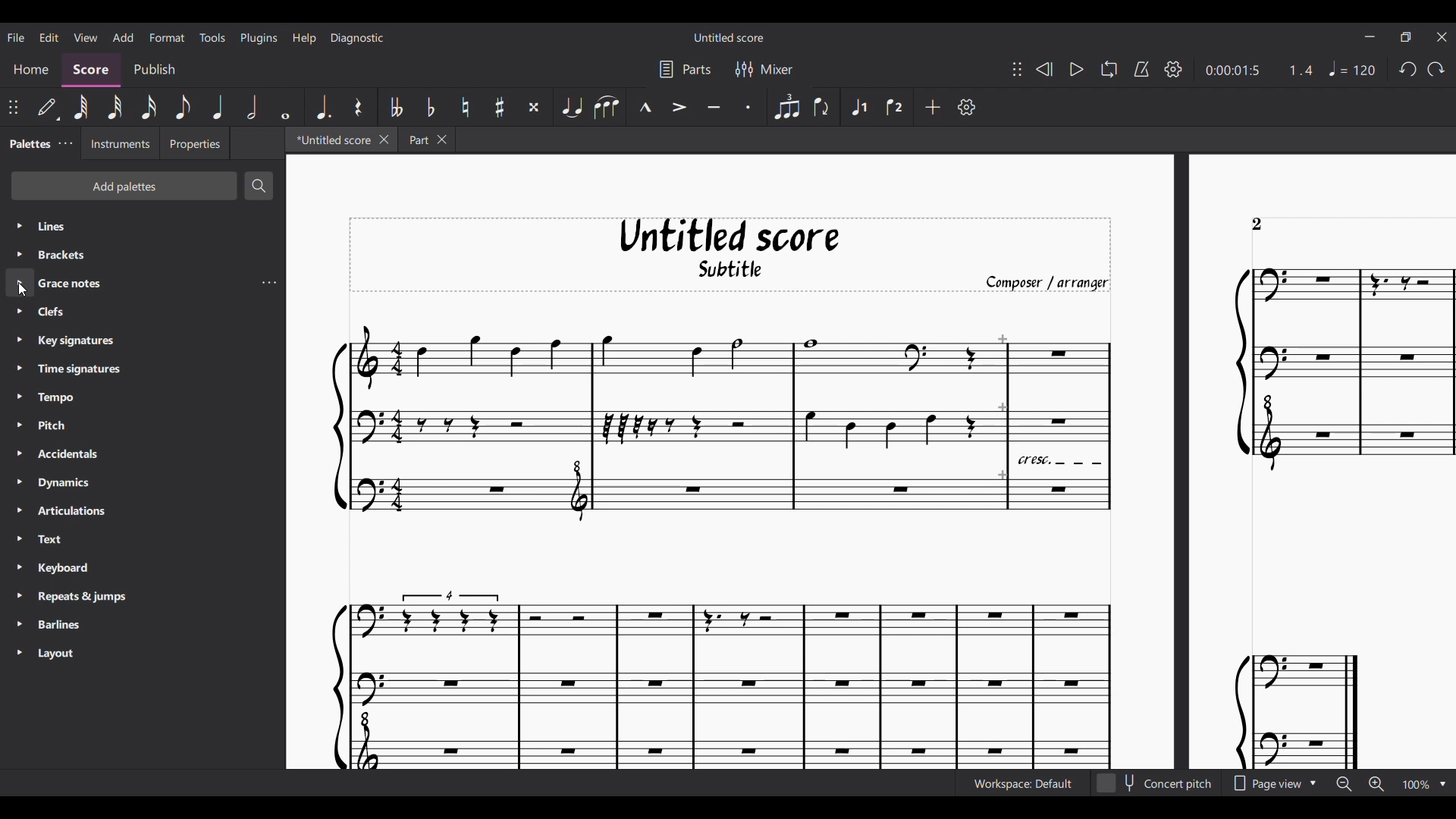  What do you see at coordinates (120, 143) in the screenshot?
I see `Instruments tab` at bounding box center [120, 143].